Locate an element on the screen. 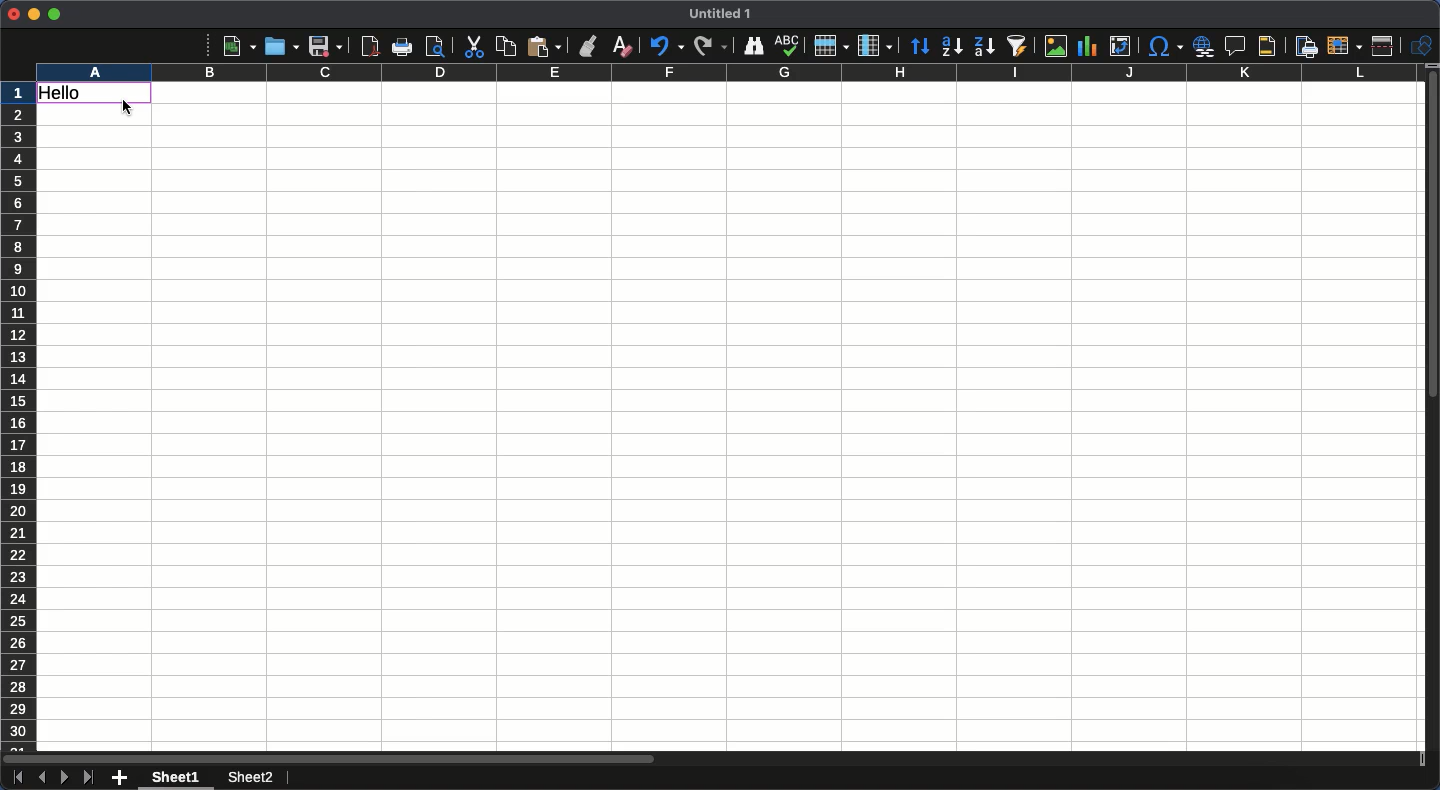  Open is located at coordinates (279, 45).